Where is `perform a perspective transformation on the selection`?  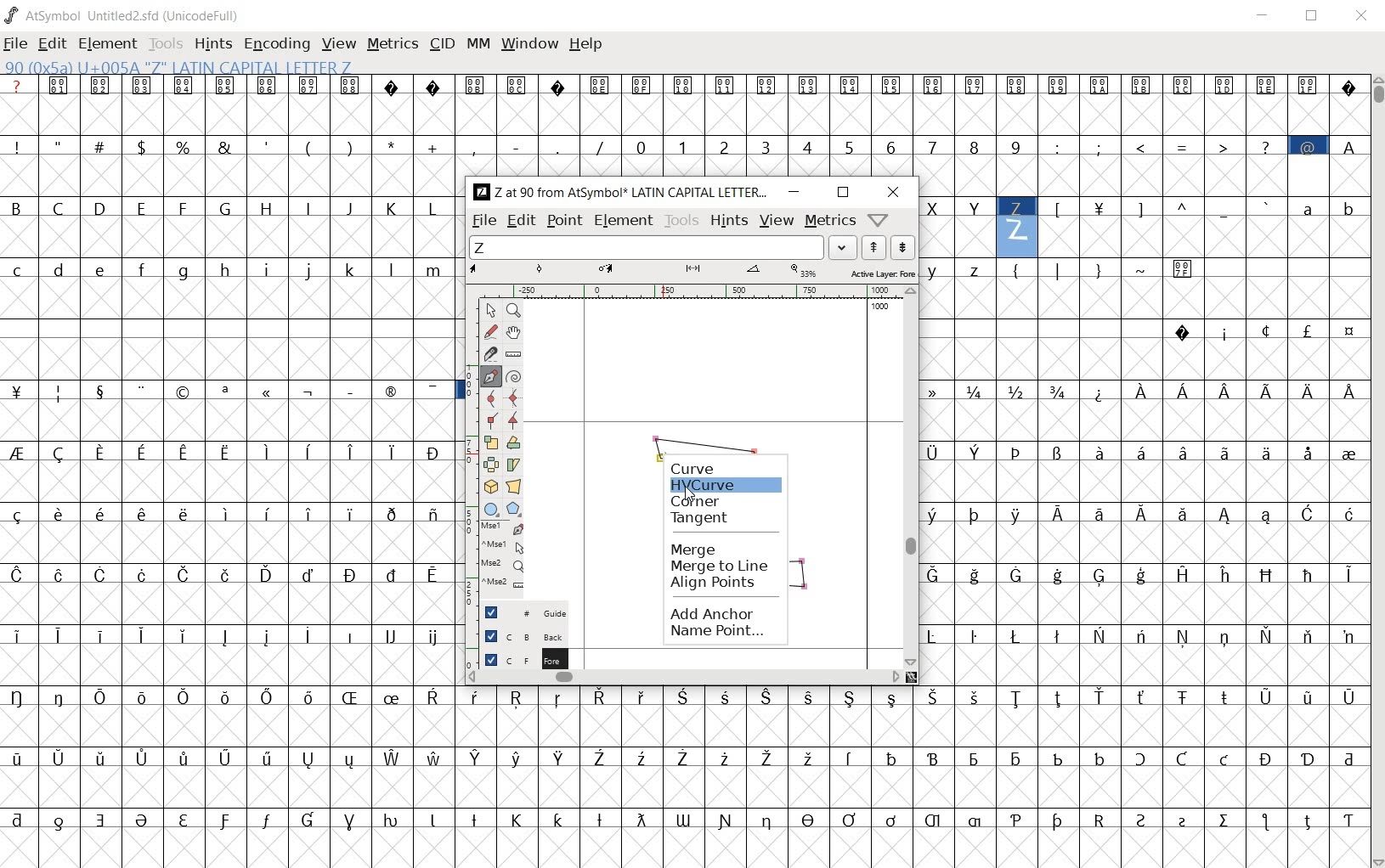 perform a perspective transformation on the selection is located at coordinates (513, 487).